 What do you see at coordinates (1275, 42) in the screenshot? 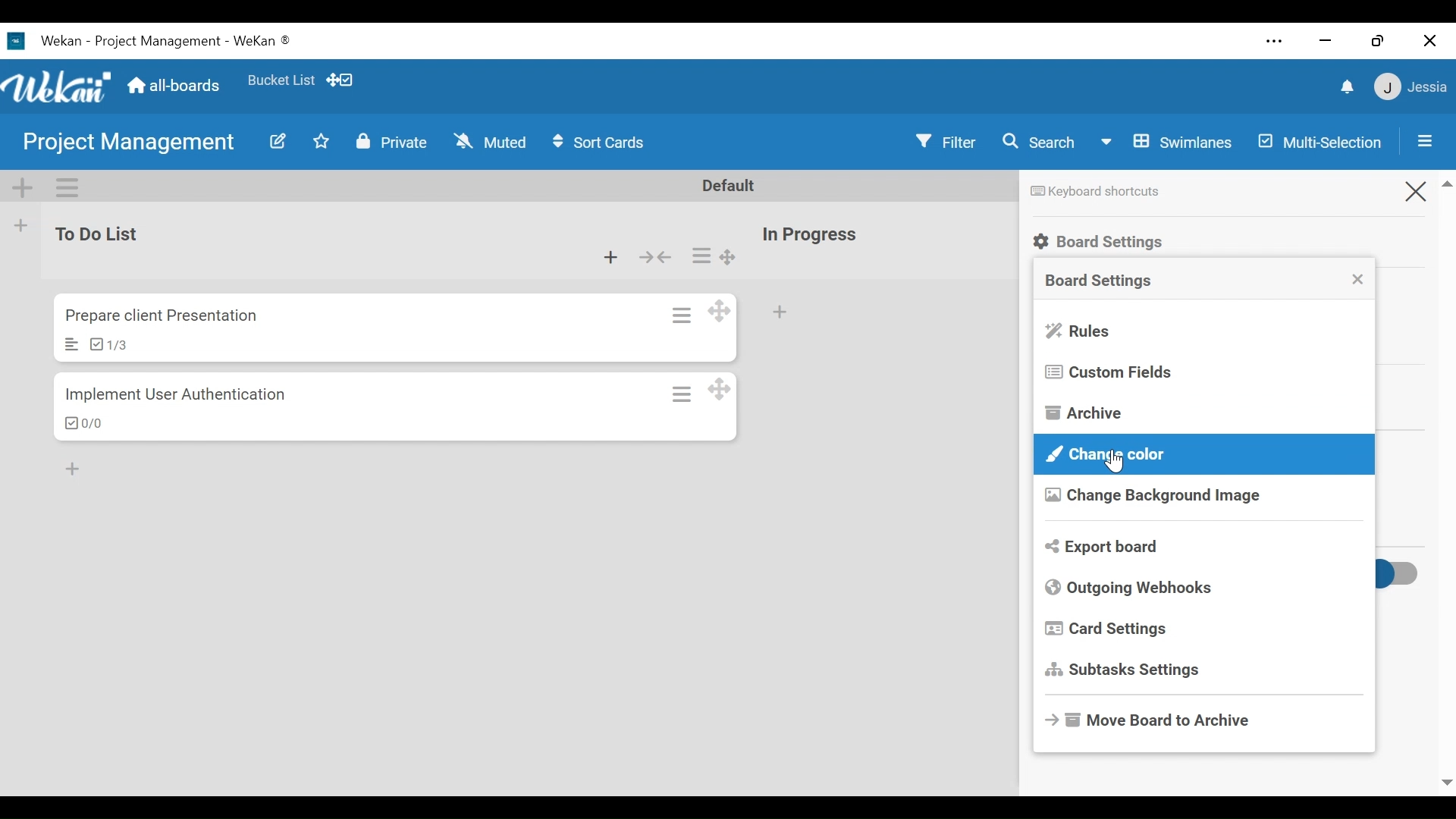
I see `settings and more` at bounding box center [1275, 42].